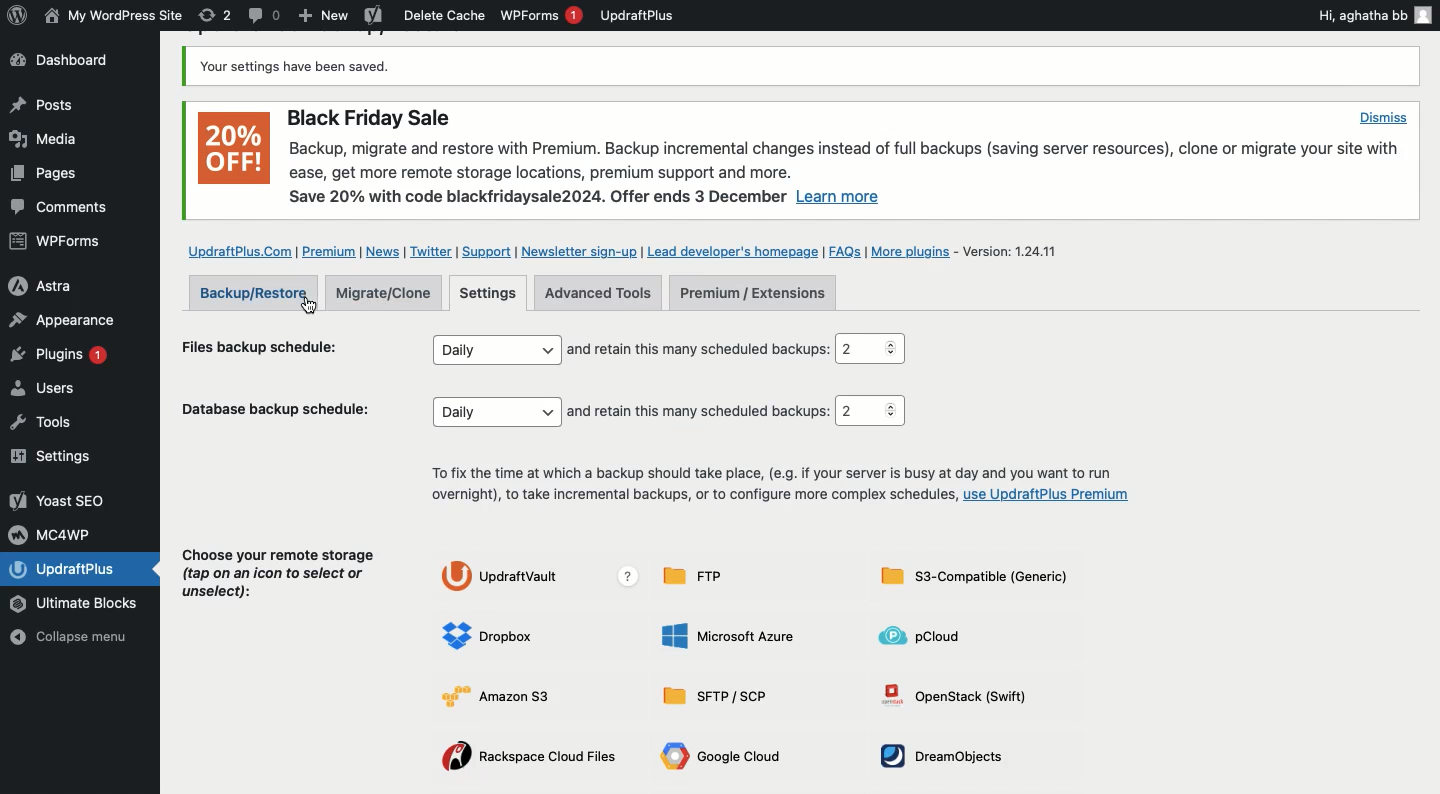 This screenshot has height=794, width=1440. I want to click on Settings, so click(491, 291).